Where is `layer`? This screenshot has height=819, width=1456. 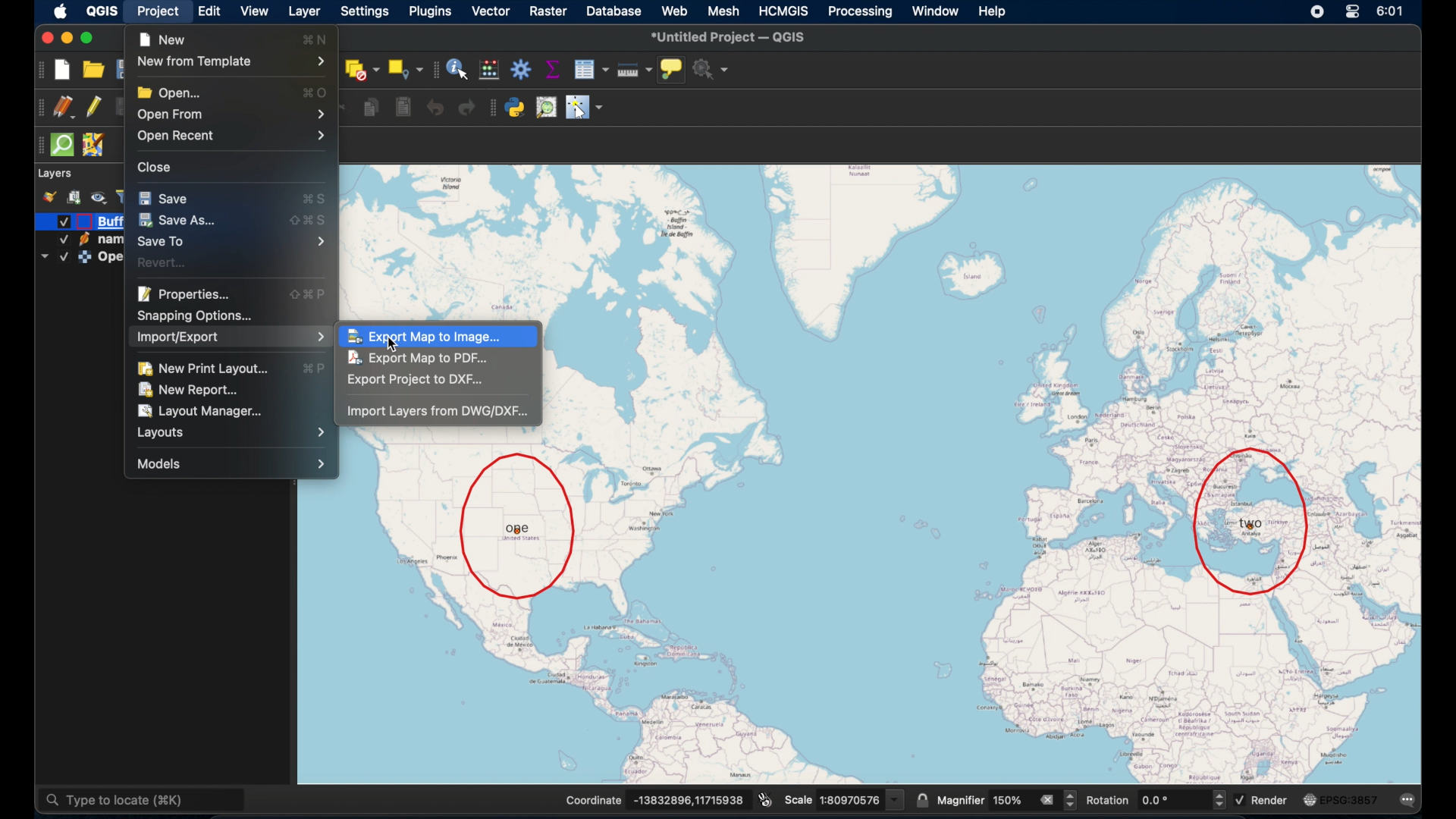
layer is located at coordinates (303, 11).